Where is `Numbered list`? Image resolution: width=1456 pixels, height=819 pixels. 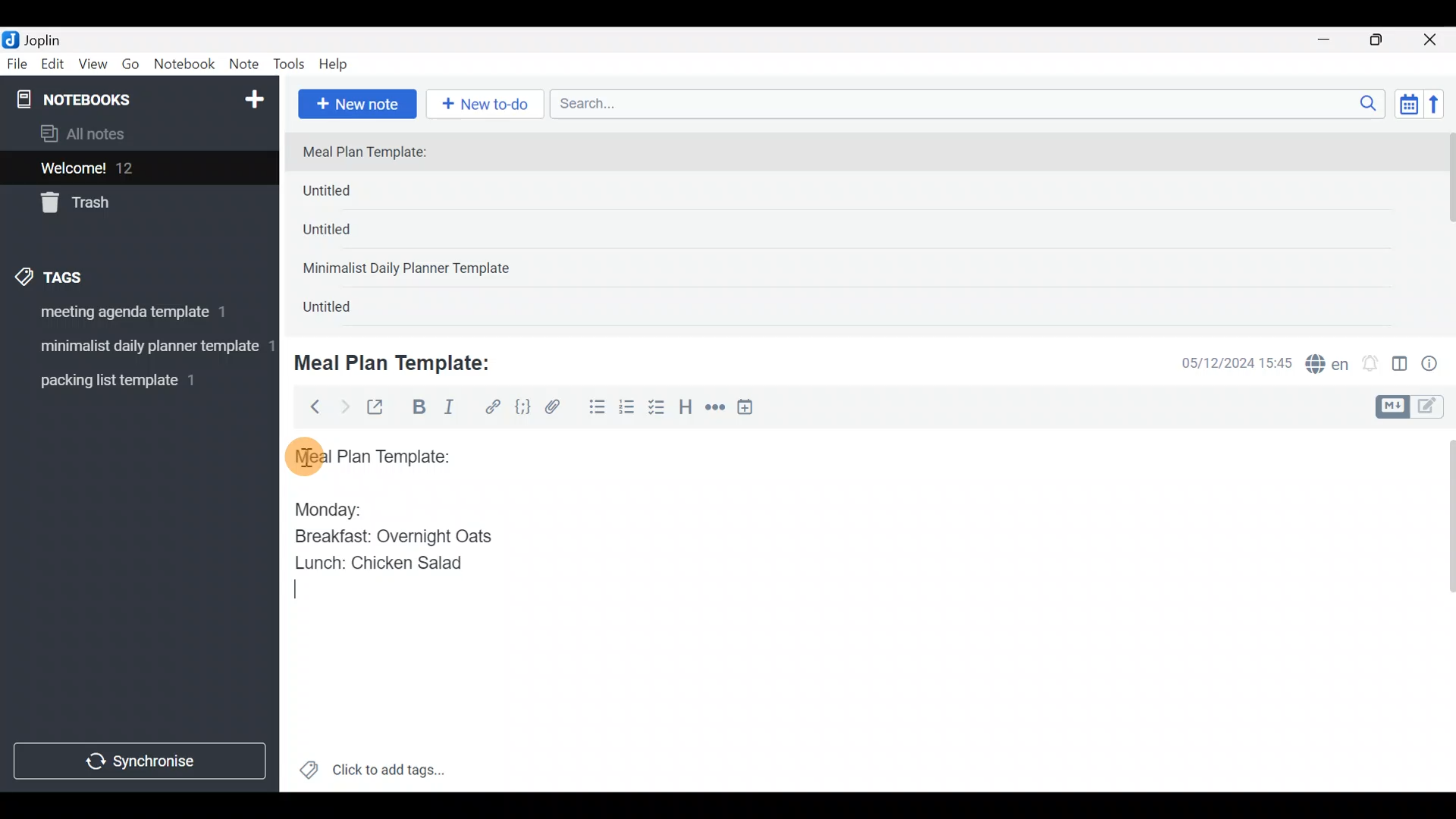
Numbered list is located at coordinates (627, 410).